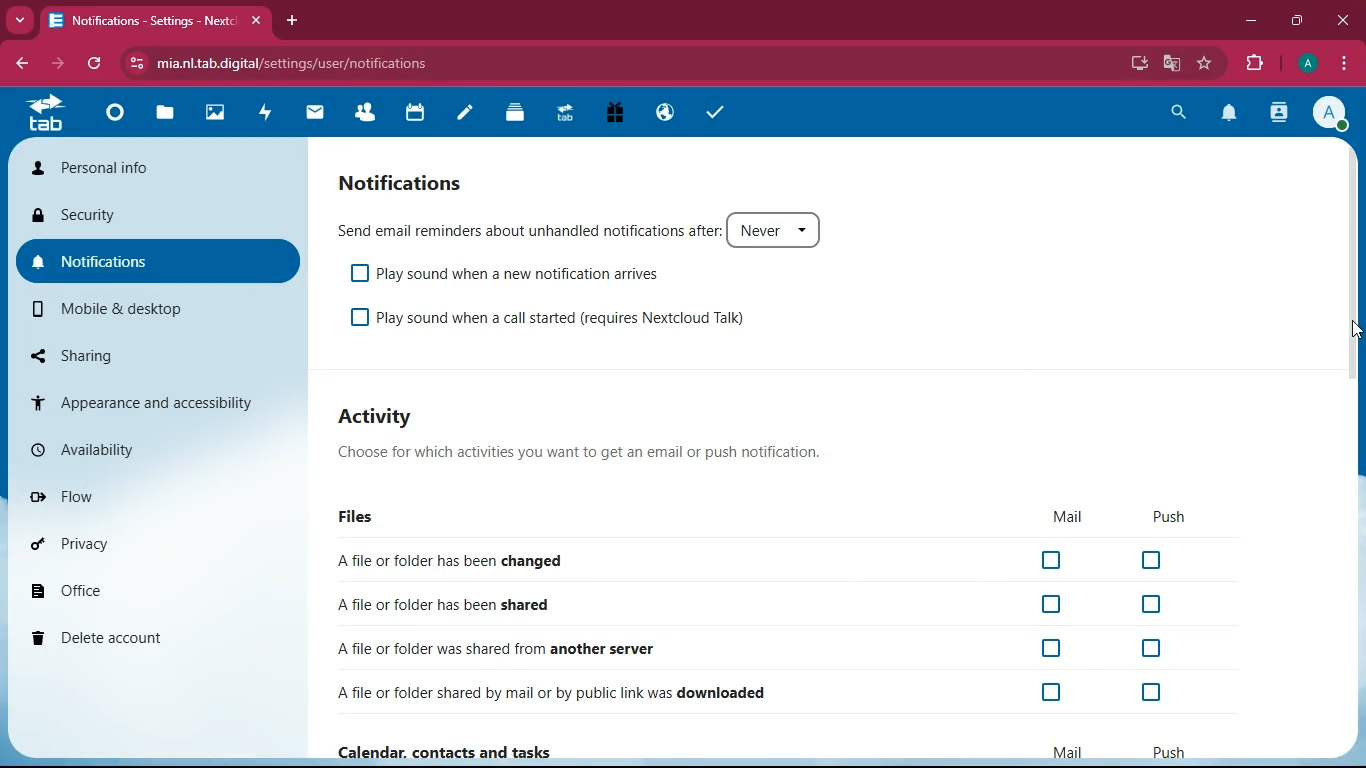 The image size is (1366, 768). Describe the element at coordinates (291, 20) in the screenshot. I see `add tab` at that location.